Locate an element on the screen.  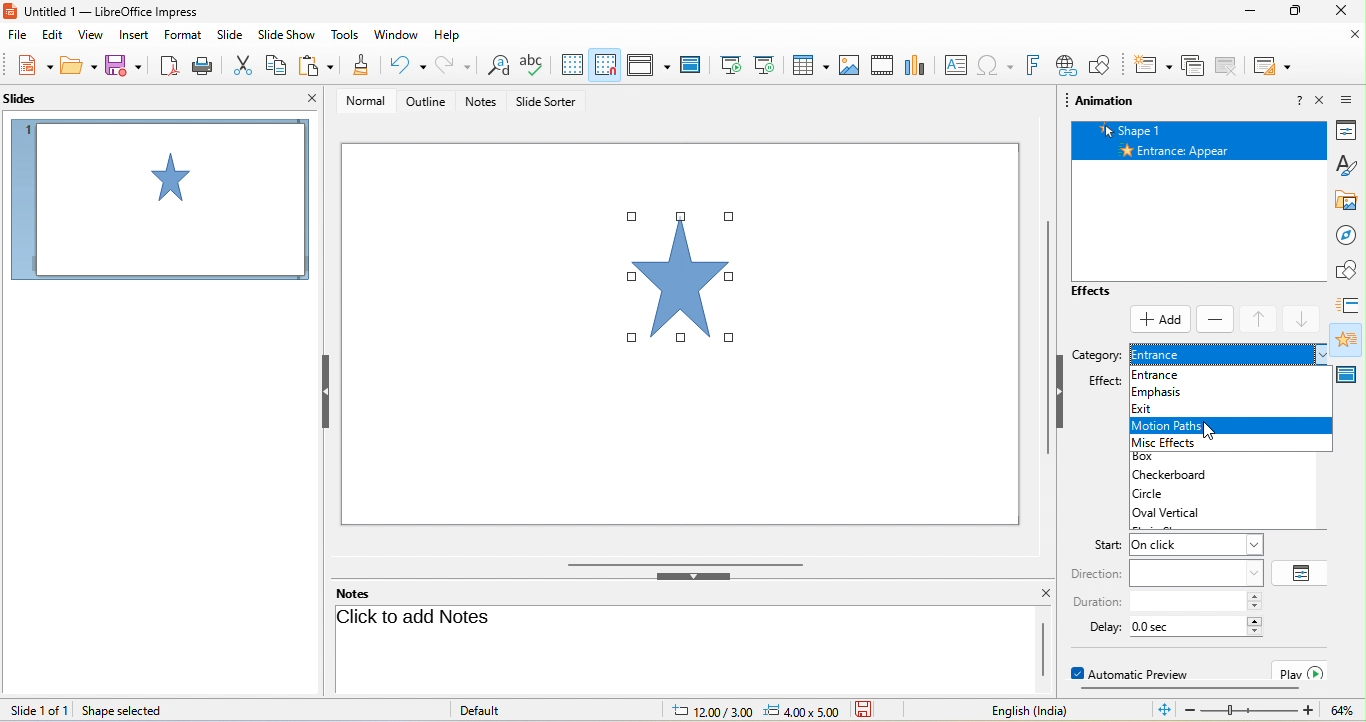
text language is located at coordinates (1016, 710).